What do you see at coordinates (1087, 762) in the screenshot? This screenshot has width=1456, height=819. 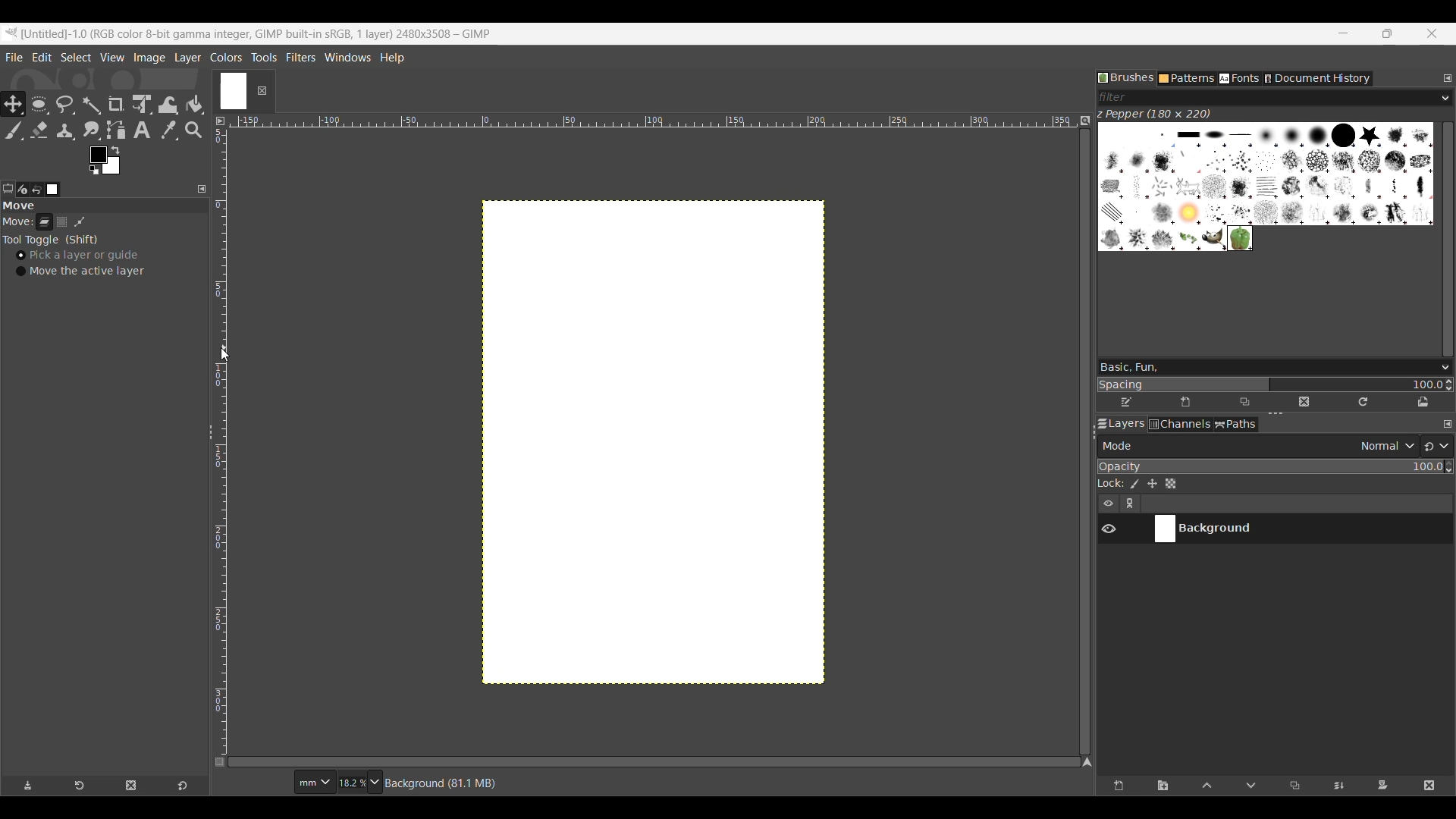 I see `Navigate the image display` at bounding box center [1087, 762].